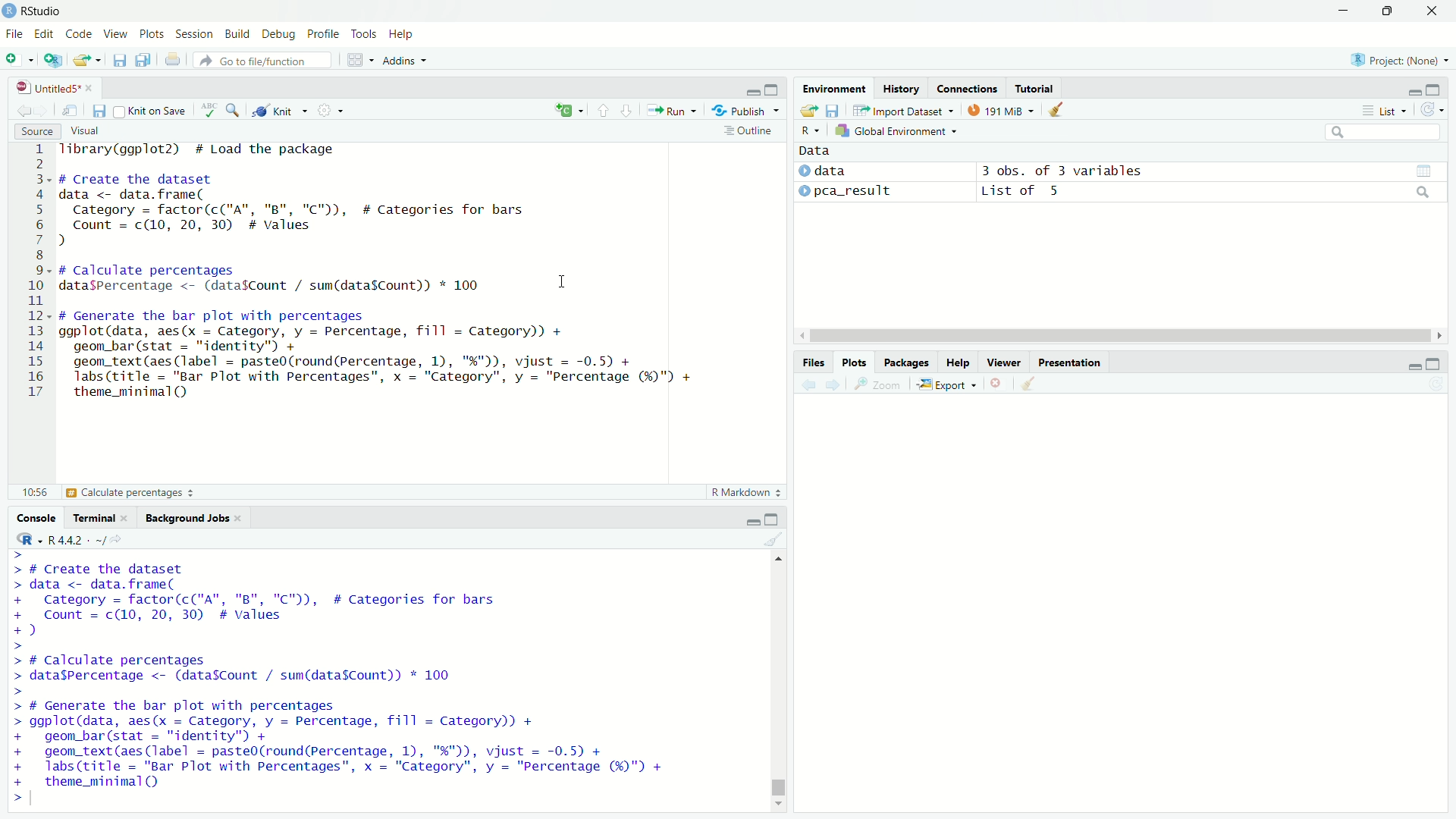 Image resolution: width=1456 pixels, height=819 pixels. What do you see at coordinates (10, 11) in the screenshot?
I see `logo` at bounding box center [10, 11].